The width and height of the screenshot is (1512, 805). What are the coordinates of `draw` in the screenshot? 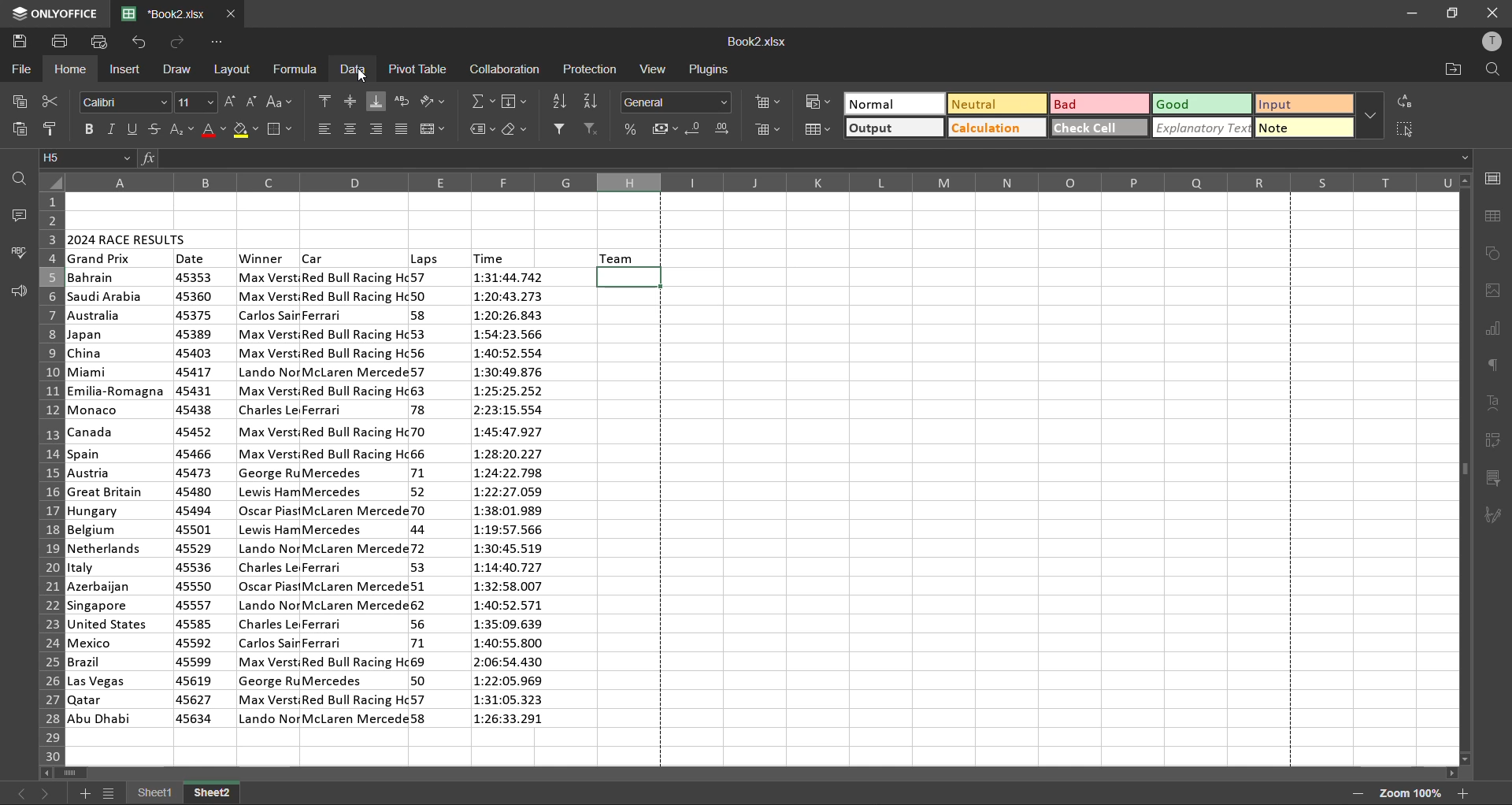 It's located at (178, 67).